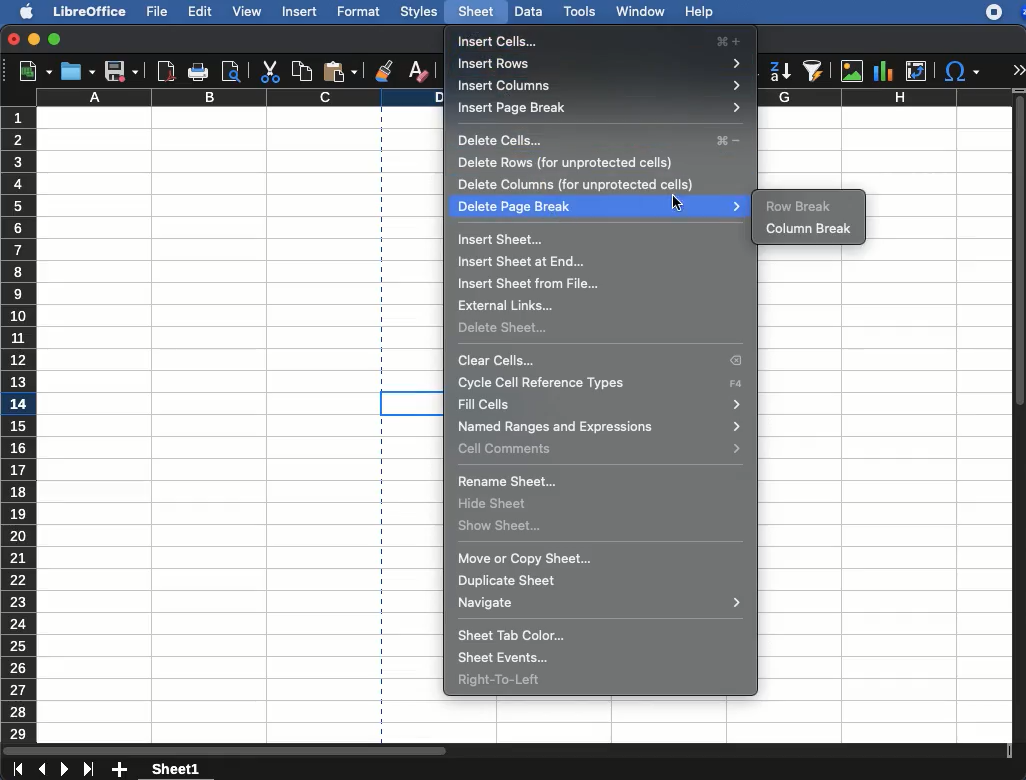 The height and width of the screenshot is (780, 1026). What do you see at coordinates (302, 70) in the screenshot?
I see `copy` at bounding box center [302, 70].